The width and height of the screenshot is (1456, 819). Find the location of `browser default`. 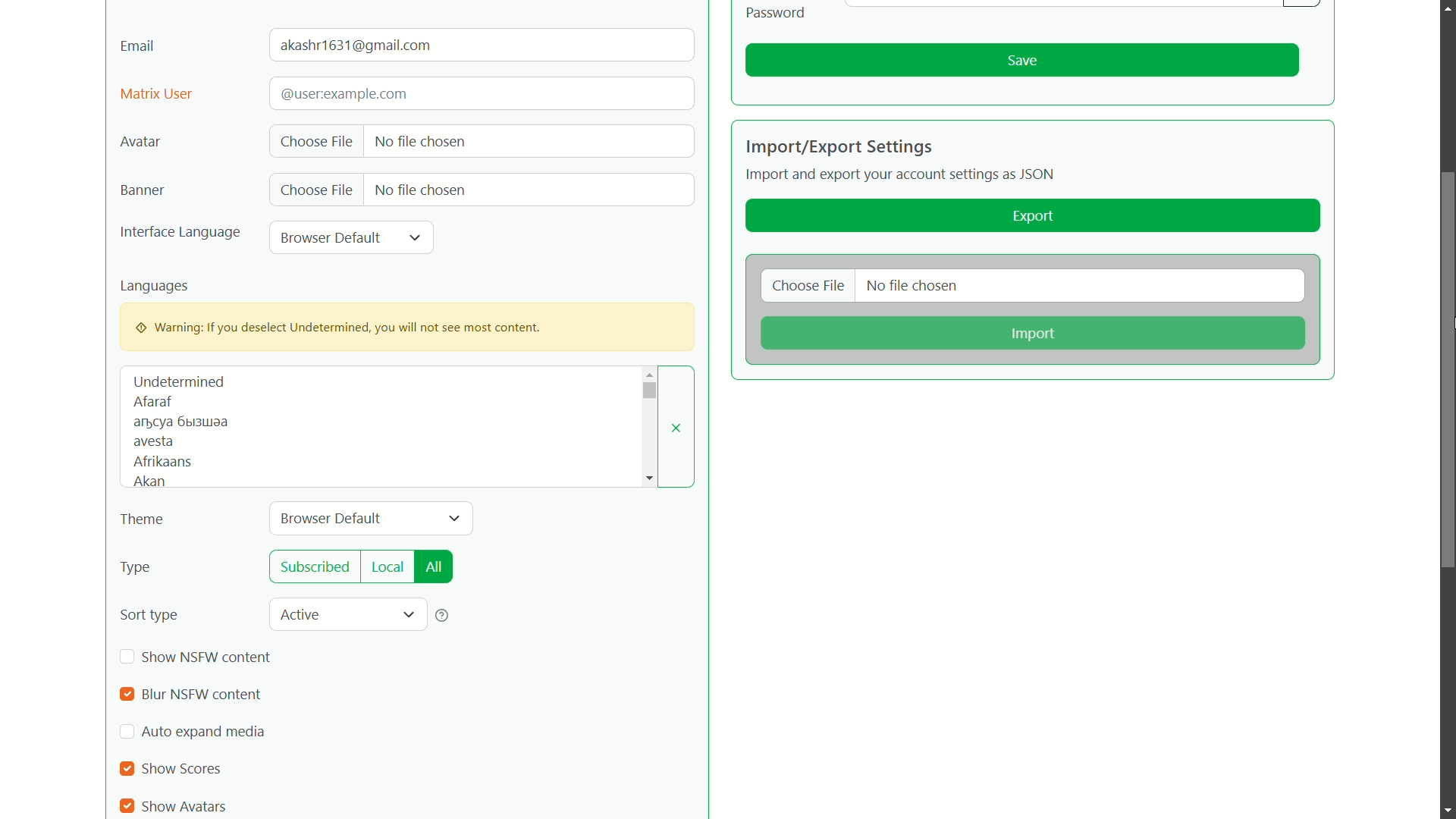

browser default is located at coordinates (333, 518).